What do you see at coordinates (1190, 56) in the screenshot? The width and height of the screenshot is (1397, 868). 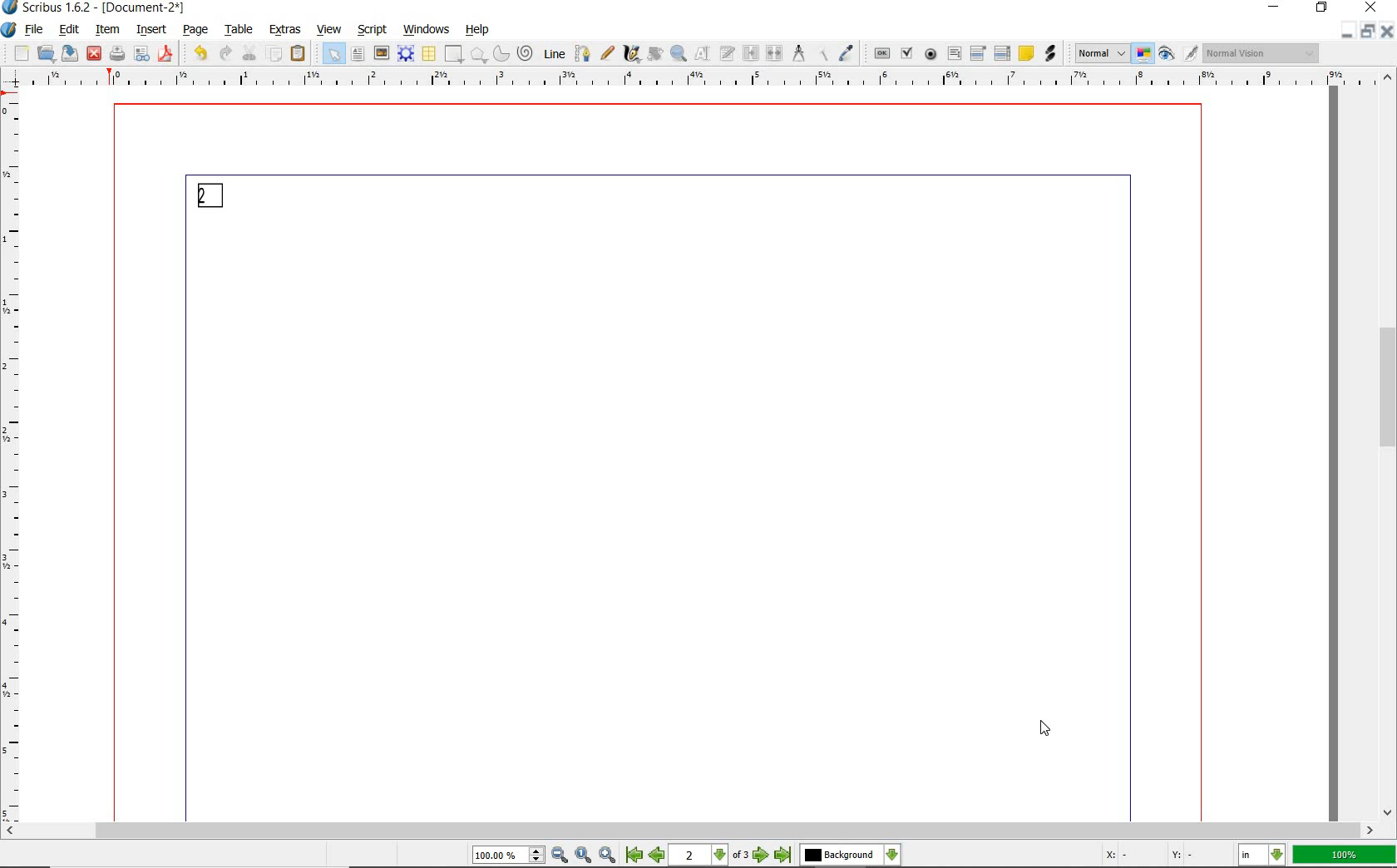 I see `Edit in Preview Mode` at bounding box center [1190, 56].